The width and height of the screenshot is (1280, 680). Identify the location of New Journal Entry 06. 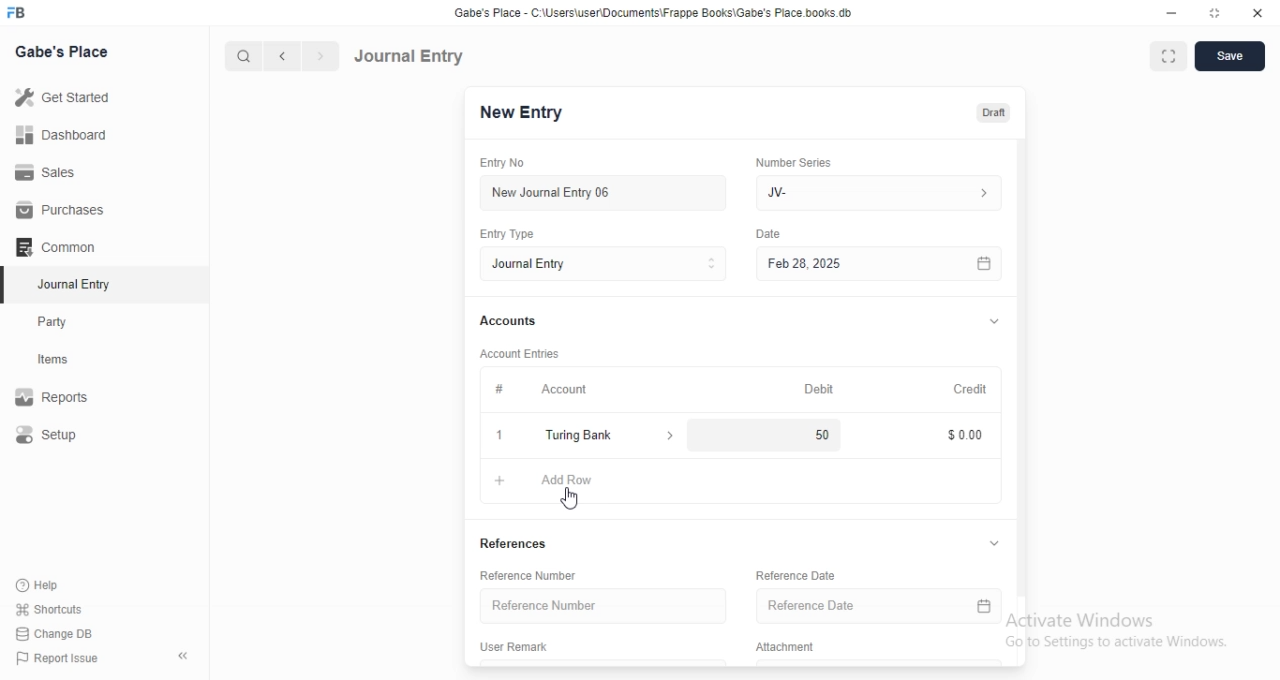
(597, 191).